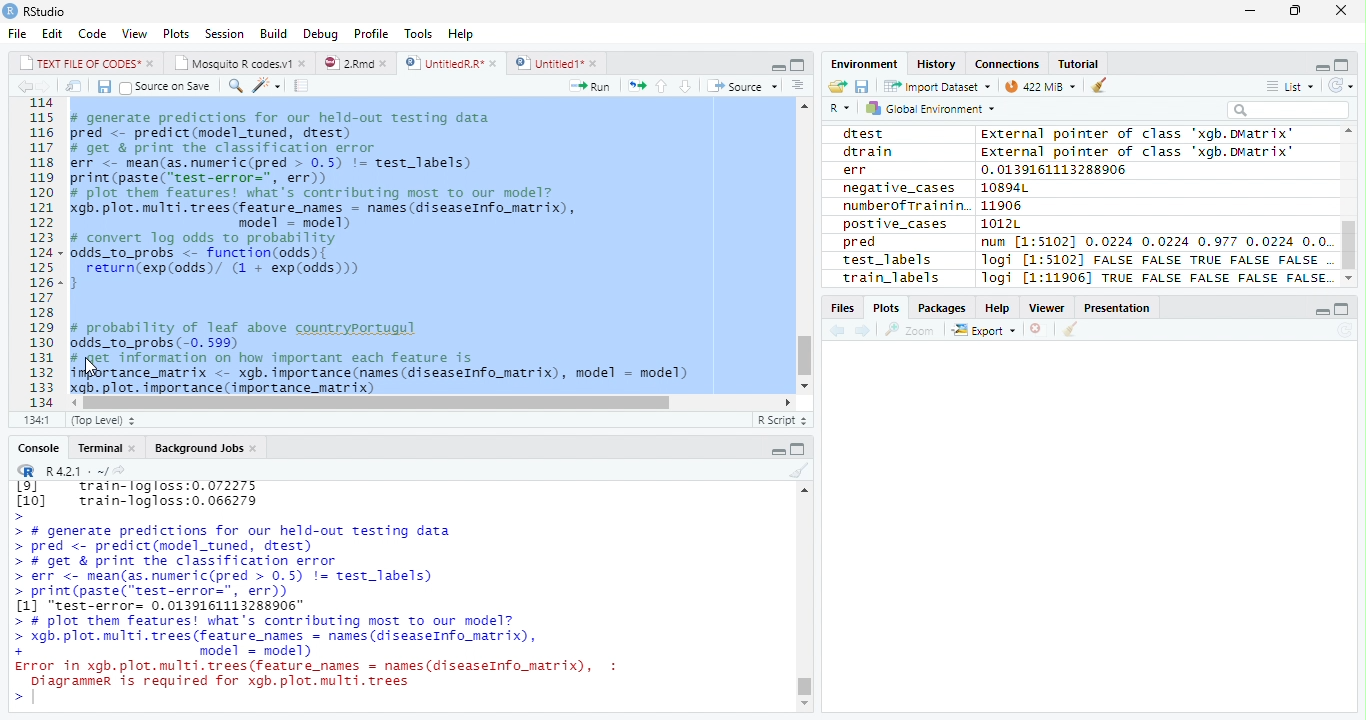  Describe the element at coordinates (911, 328) in the screenshot. I see `Zoom` at that location.